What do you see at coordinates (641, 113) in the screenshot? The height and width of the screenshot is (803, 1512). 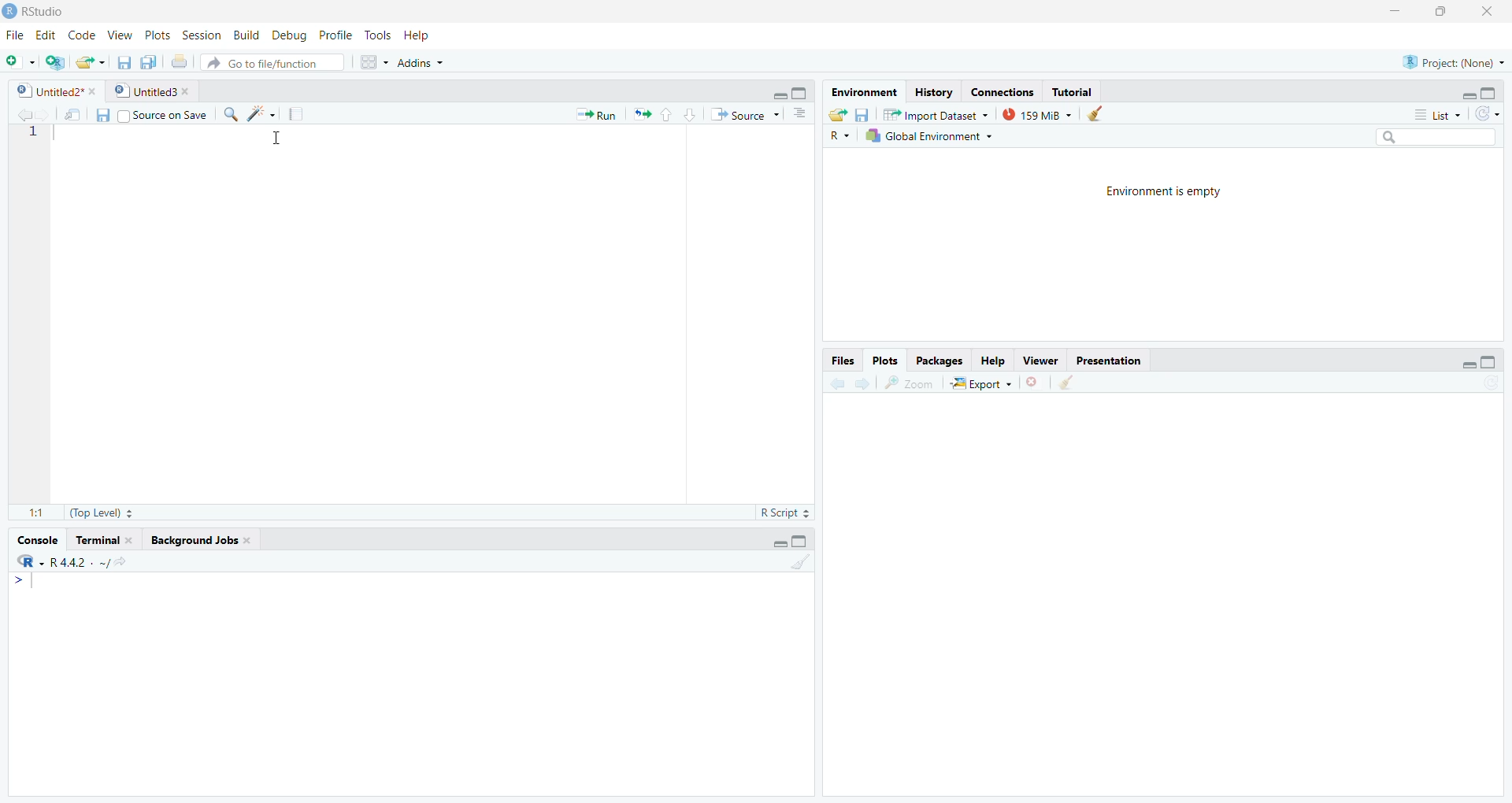 I see `Re-run` at bounding box center [641, 113].